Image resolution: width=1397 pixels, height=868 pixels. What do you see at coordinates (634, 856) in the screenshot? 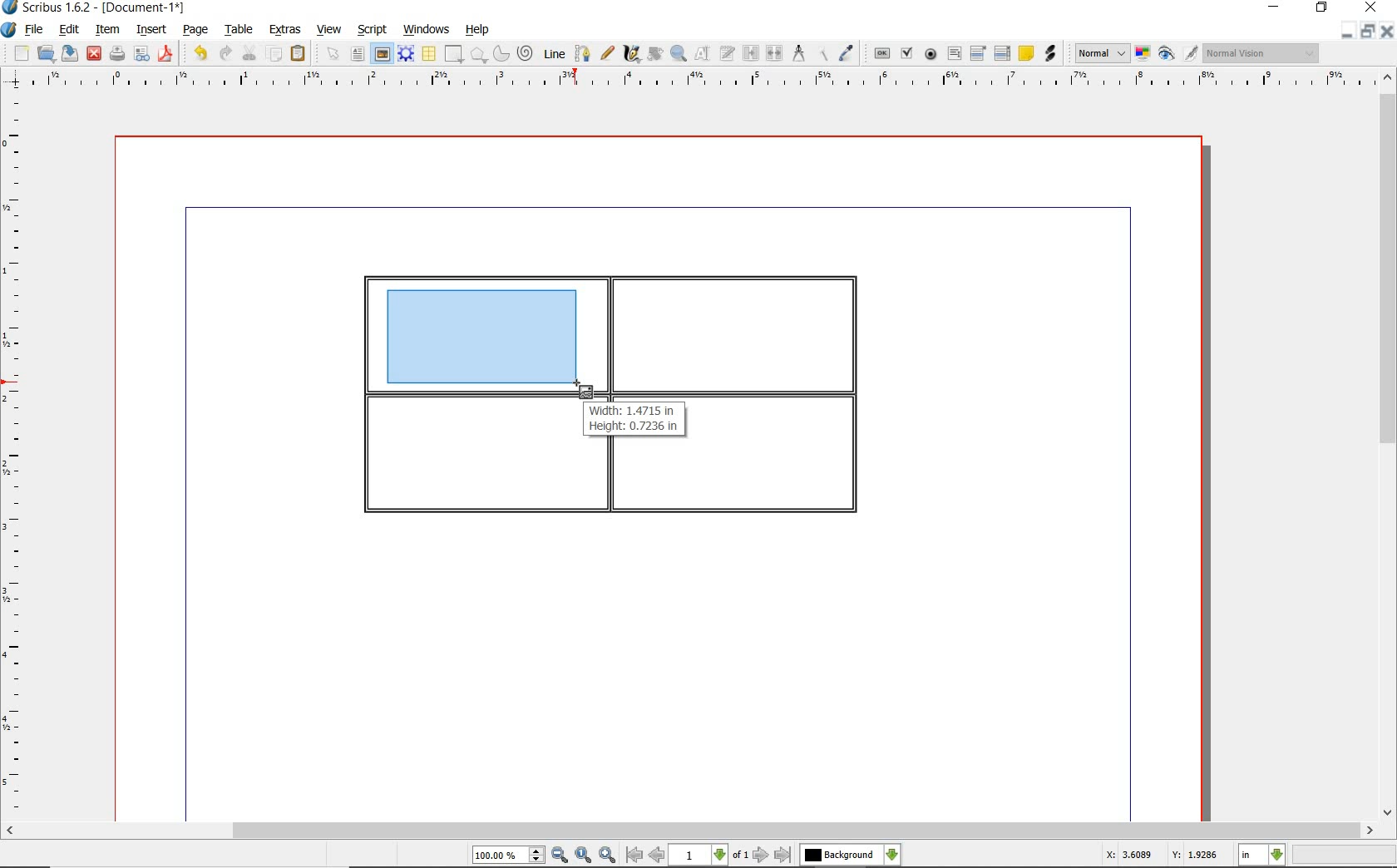
I see `go to first page` at bounding box center [634, 856].